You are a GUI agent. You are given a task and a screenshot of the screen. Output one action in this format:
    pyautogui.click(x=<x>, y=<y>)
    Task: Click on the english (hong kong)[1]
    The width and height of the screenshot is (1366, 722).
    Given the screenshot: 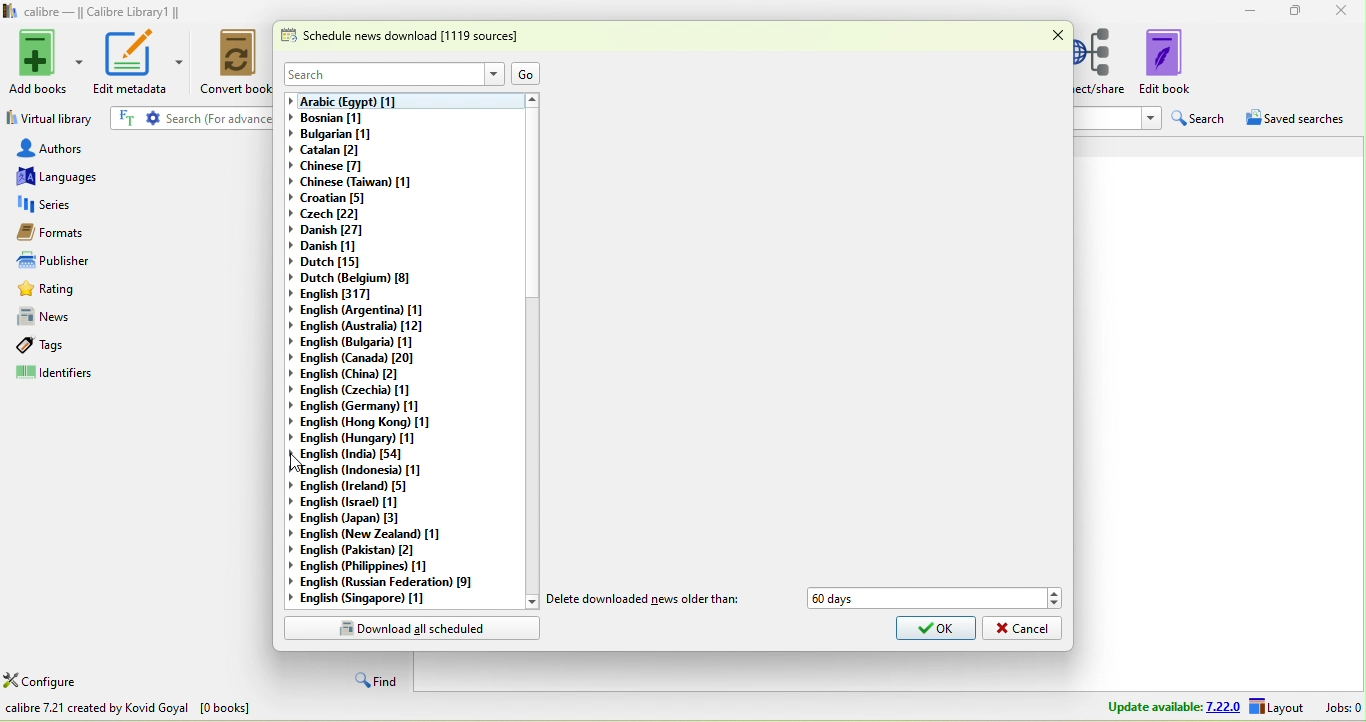 What is the action you would take?
    pyautogui.click(x=367, y=422)
    